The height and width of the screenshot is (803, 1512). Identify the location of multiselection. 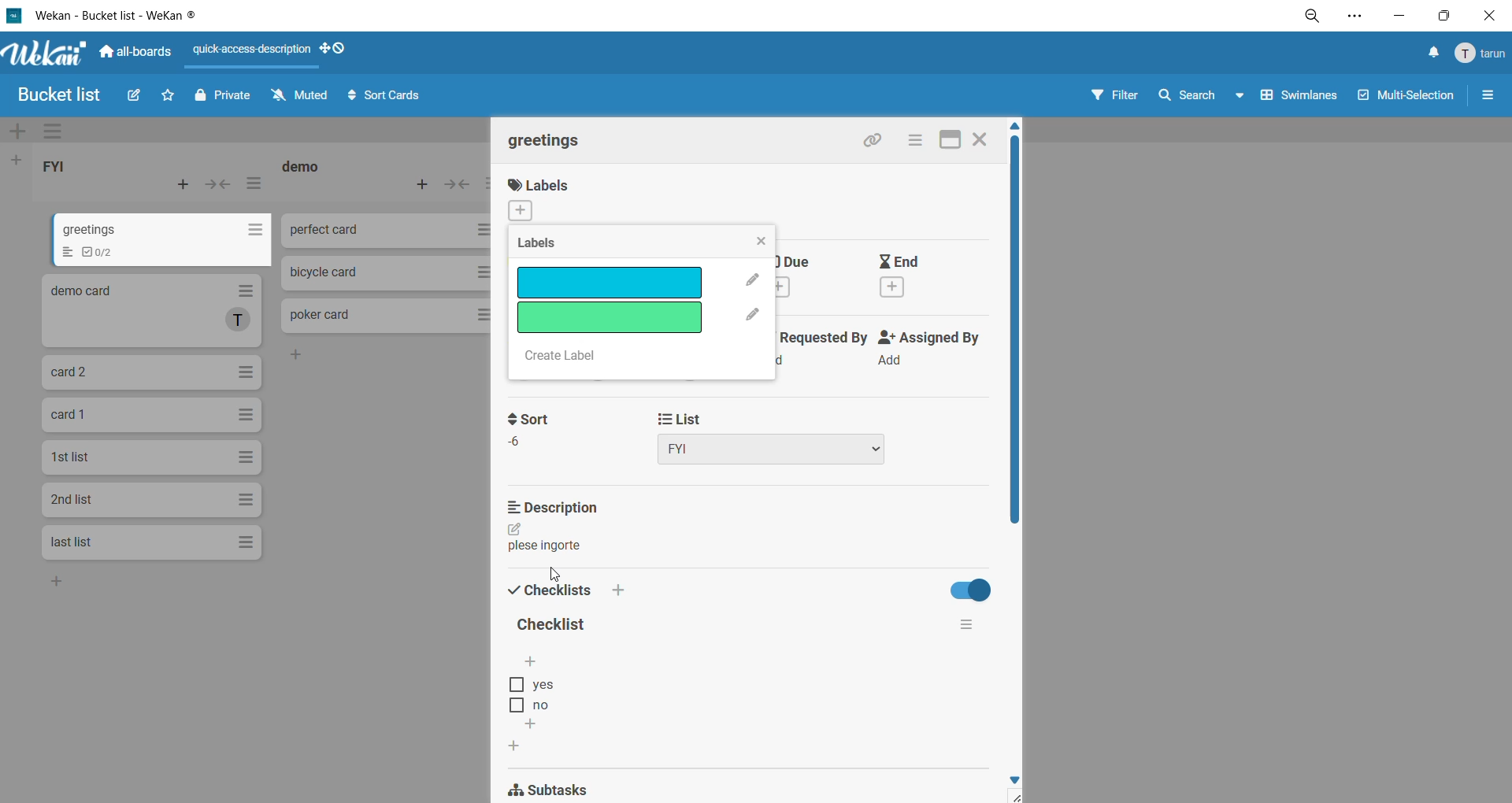
(1406, 102).